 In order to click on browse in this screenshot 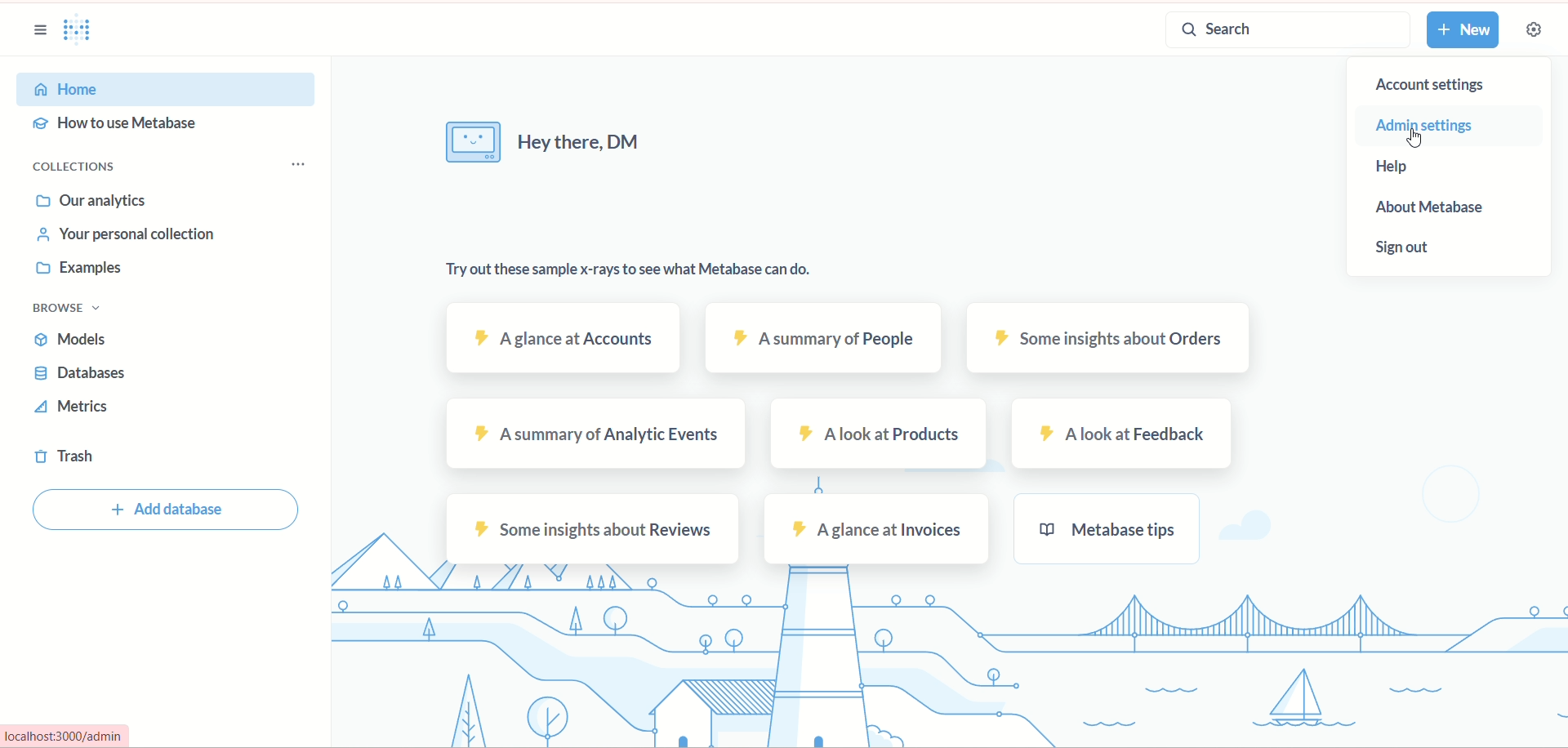, I will do `click(77, 309)`.